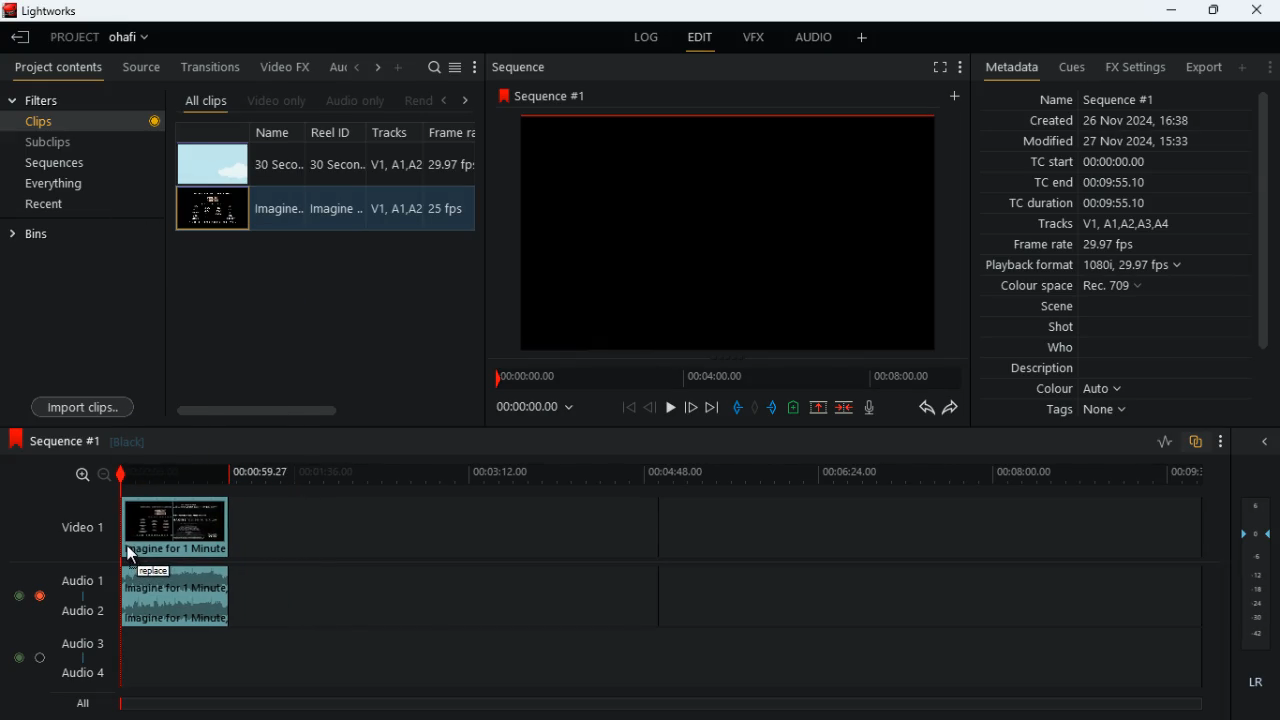  What do you see at coordinates (1095, 244) in the screenshot?
I see `frame rate` at bounding box center [1095, 244].